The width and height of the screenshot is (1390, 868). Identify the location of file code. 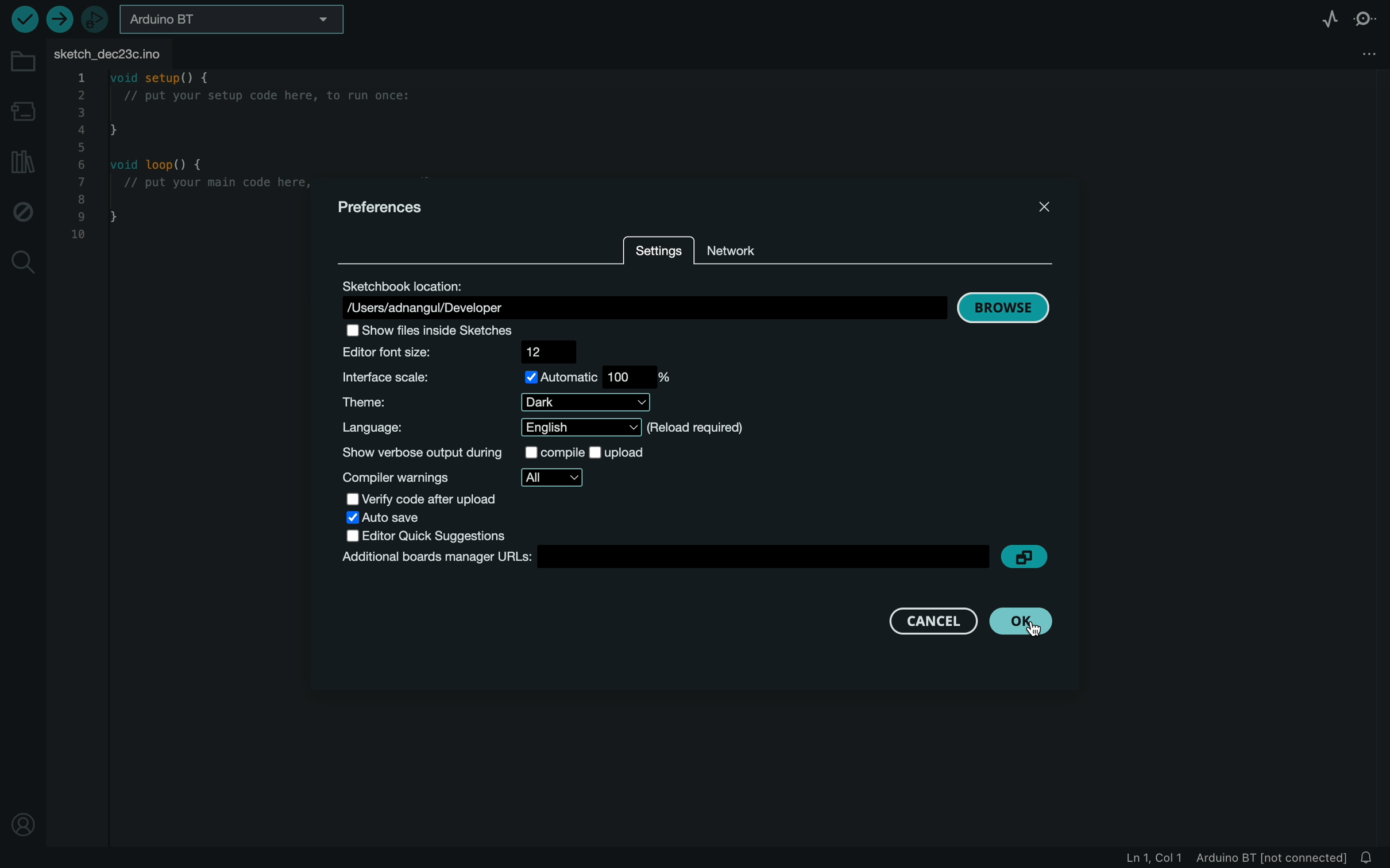
(183, 231).